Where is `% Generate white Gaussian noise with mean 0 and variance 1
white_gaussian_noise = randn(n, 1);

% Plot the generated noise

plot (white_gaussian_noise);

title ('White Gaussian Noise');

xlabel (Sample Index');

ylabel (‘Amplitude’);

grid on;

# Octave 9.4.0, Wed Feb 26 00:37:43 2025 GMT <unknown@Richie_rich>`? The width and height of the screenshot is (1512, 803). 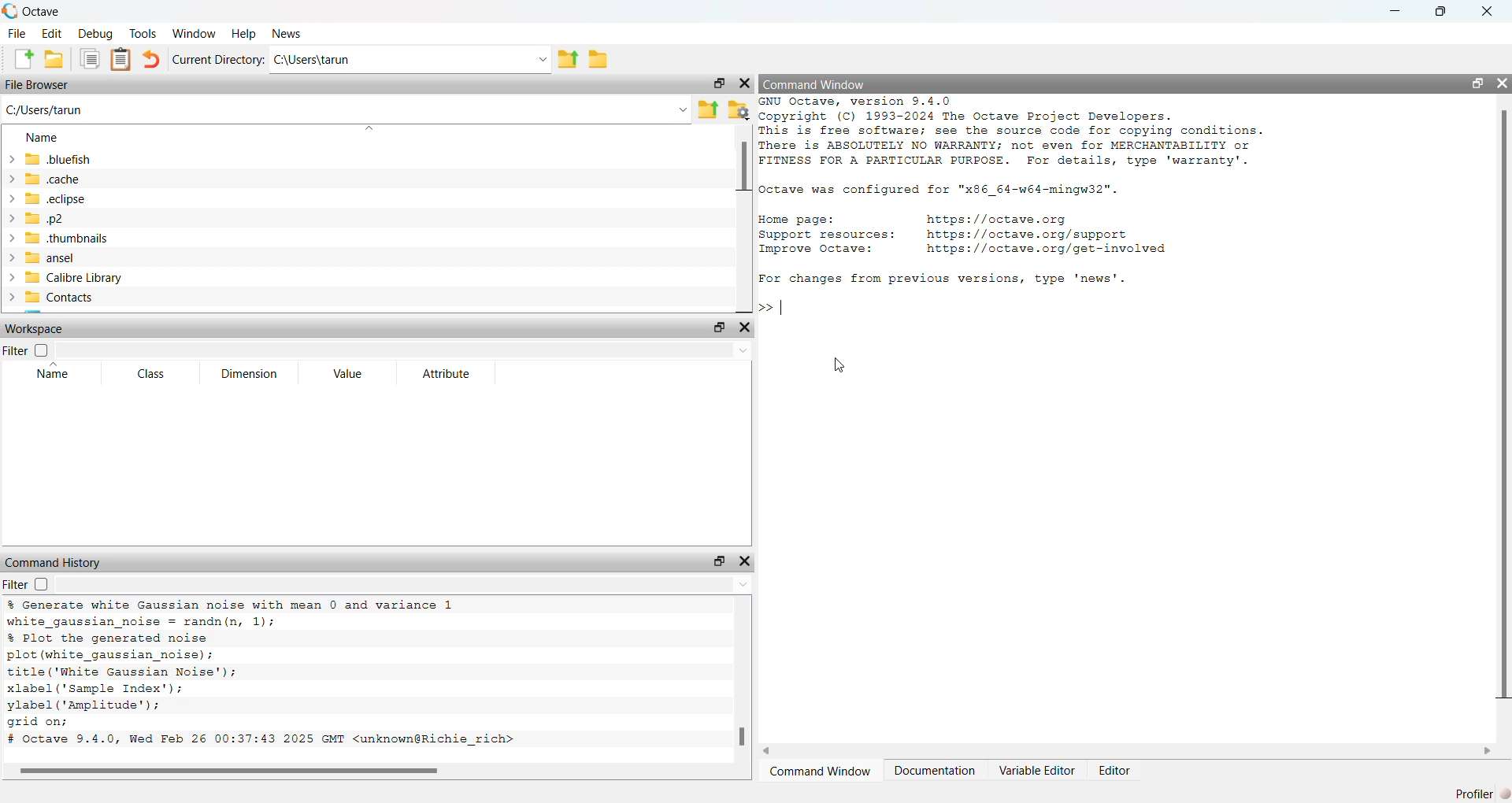 % Generate white Gaussian noise with mean 0 and variance 1
white_gaussian_noise = randn(n, 1);

% Plot the generated noise

plot (white_gaussian_noise);

title ('White Gaussian Noise');

xlabel (Sample Index');

ylabel (‘Amplitude’);

grid on;

# Octave 9.4.0, Wed Feb 26 00:37:43 2025 GMT <unknown@Richie_rich> is located at coordinates (277, 673).